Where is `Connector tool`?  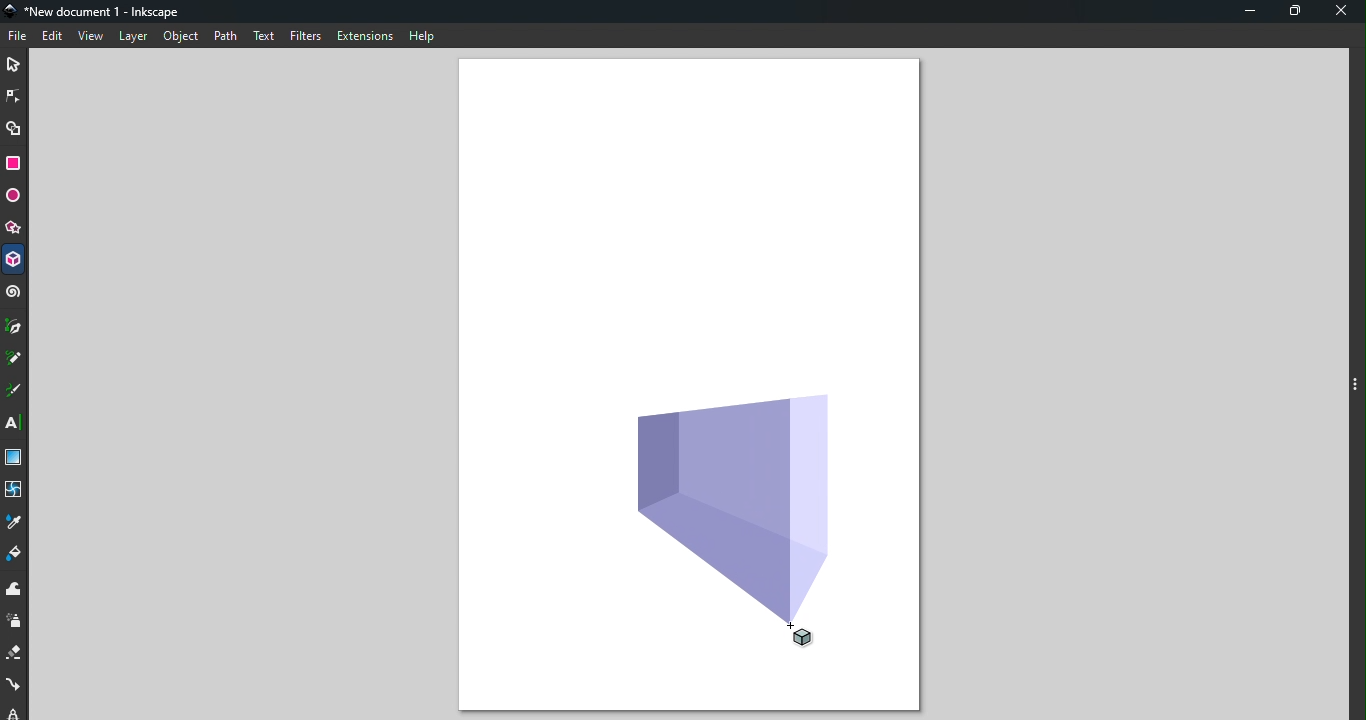 Connector tool is located at coordinates (15, 685).